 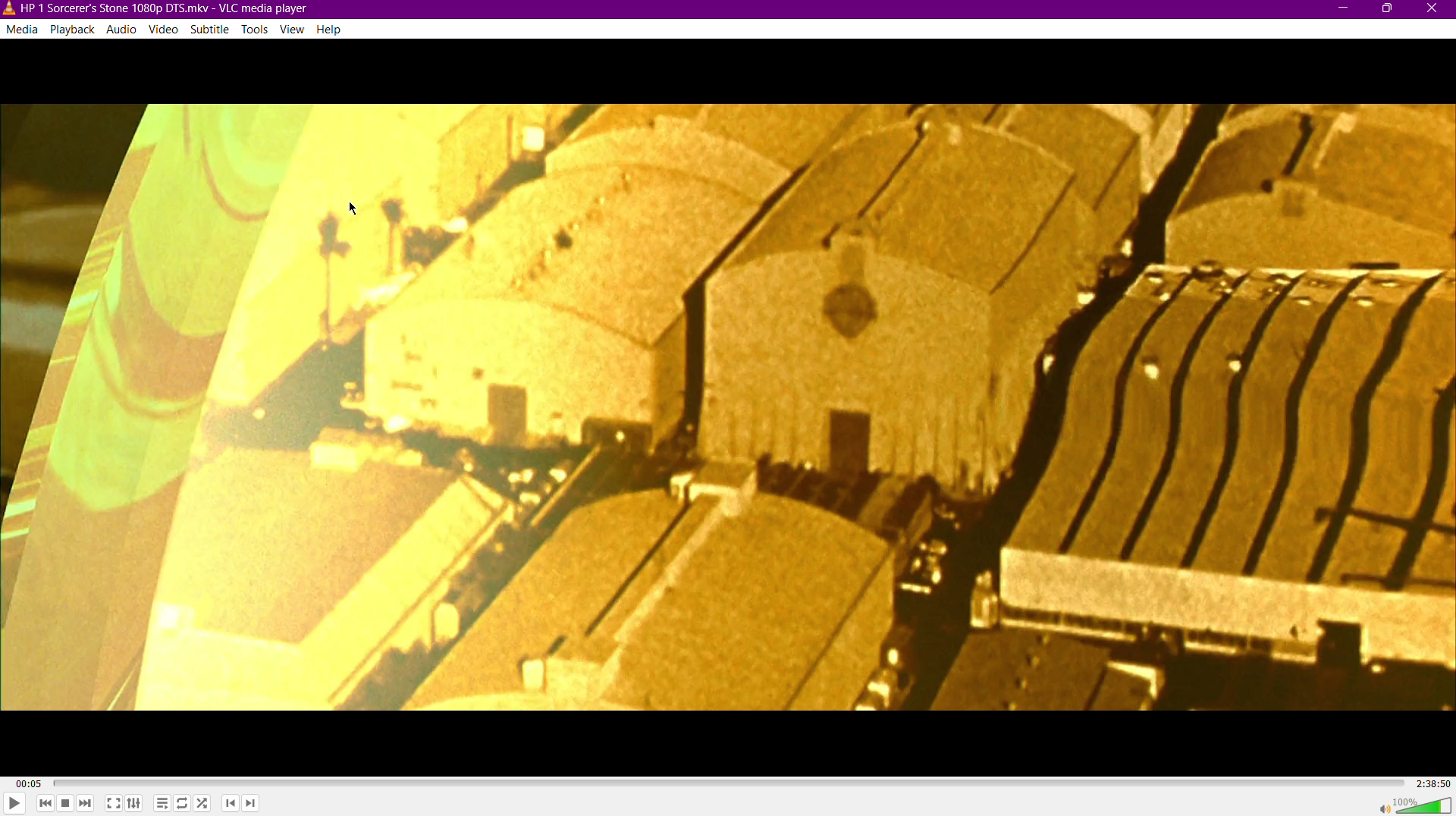 What do you see at coordinates (730, 782) in the screenshot?
I see `Timeline` at bounding box center [730, 782].